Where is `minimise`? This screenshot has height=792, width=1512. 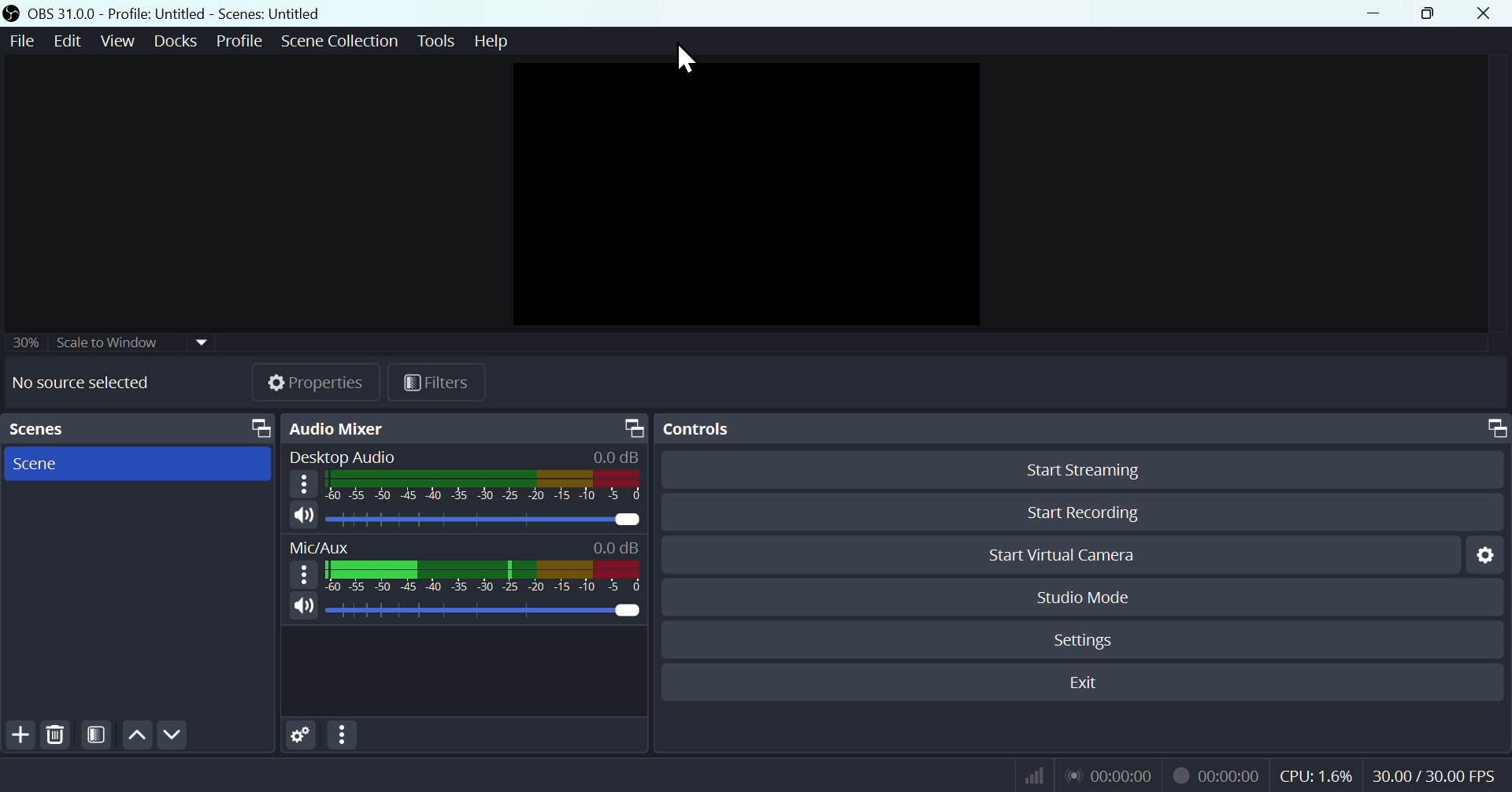
minimise is located at coordinates (1376, 13).